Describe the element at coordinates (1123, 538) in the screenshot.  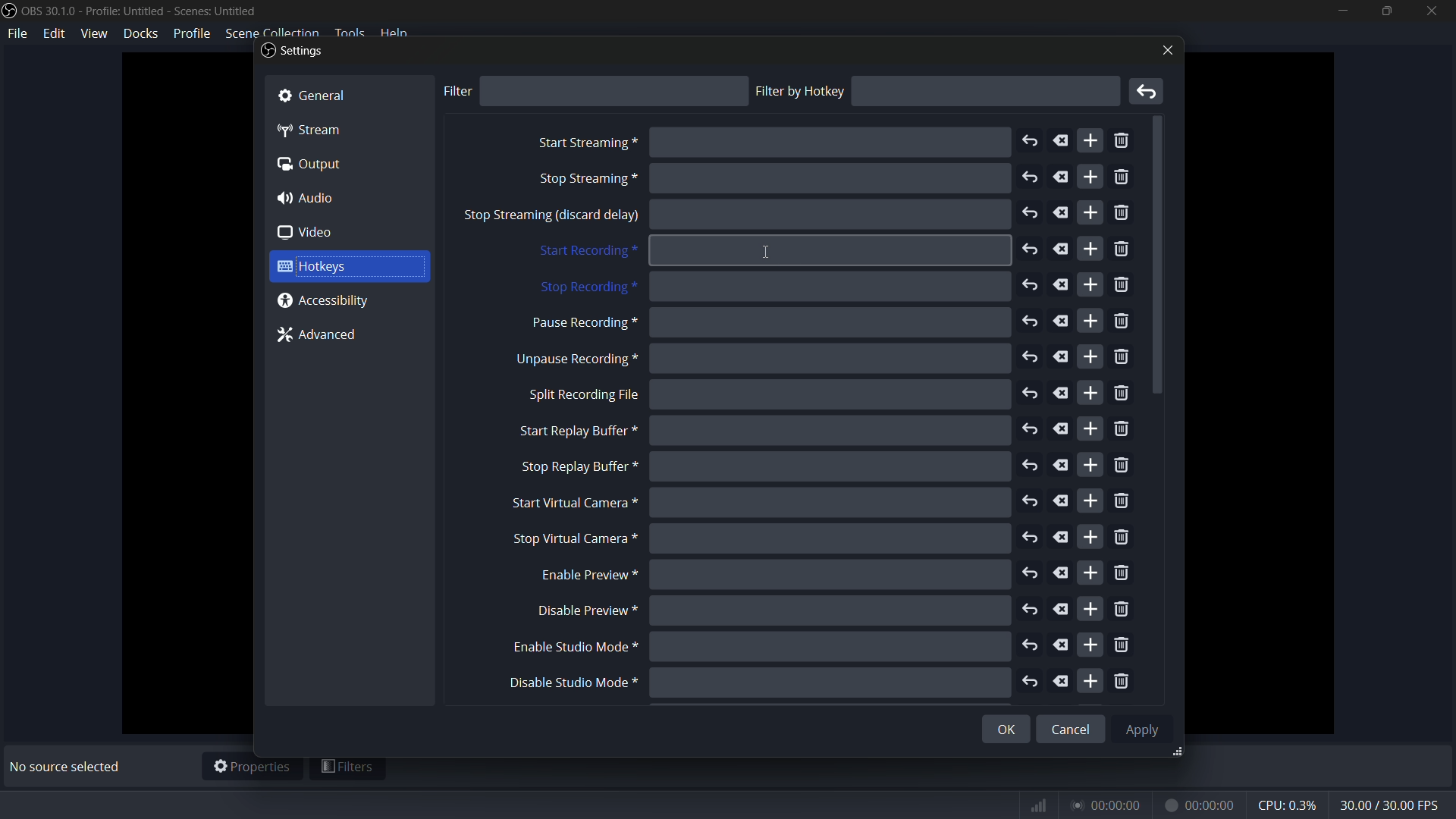
I see `remove` at that location.